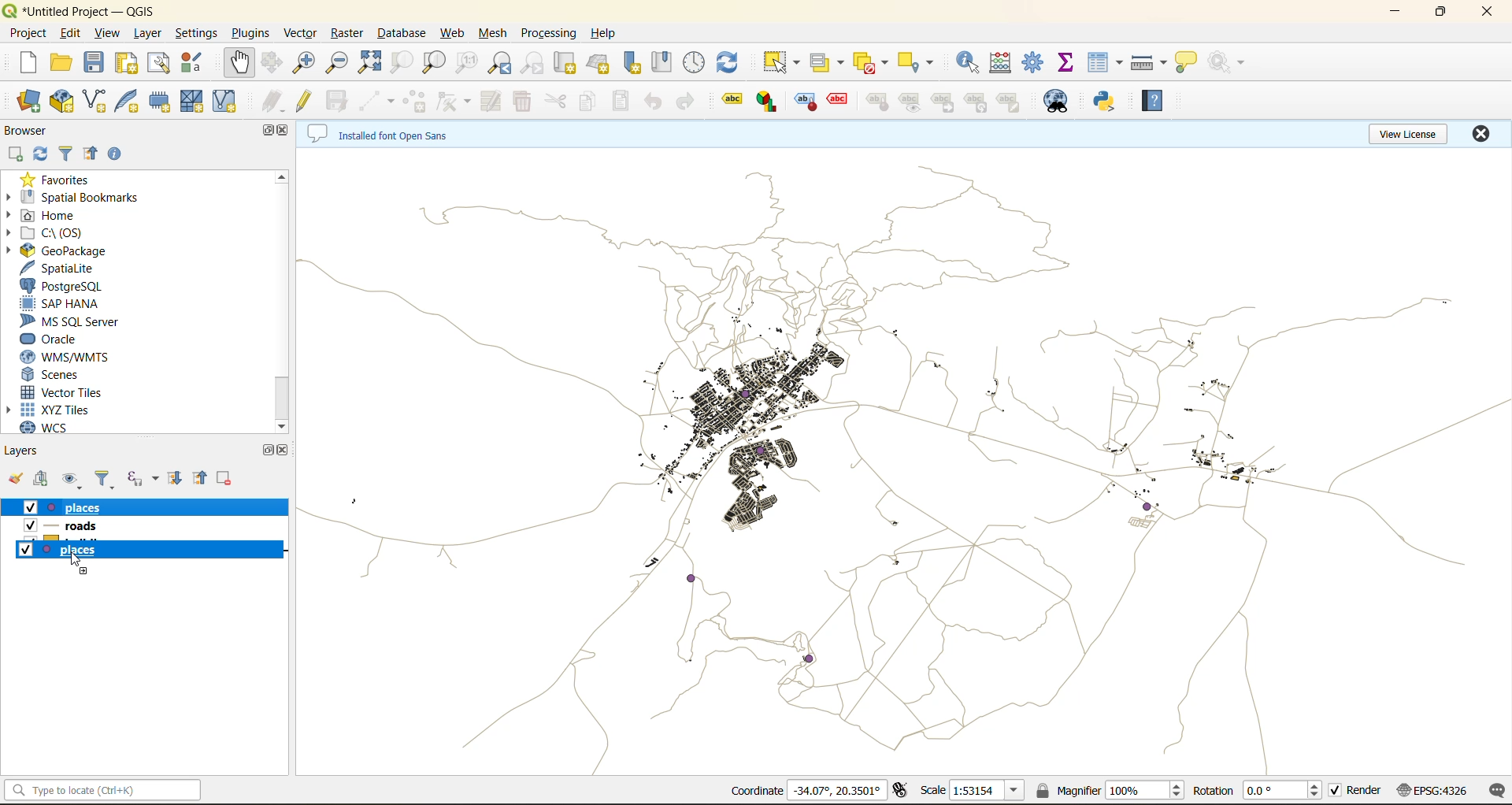 The height and width of the screenshot is (805, 1512). Describe the element at coordinates (98, 102) in the screenshot. I see `new shapefile` at that location.